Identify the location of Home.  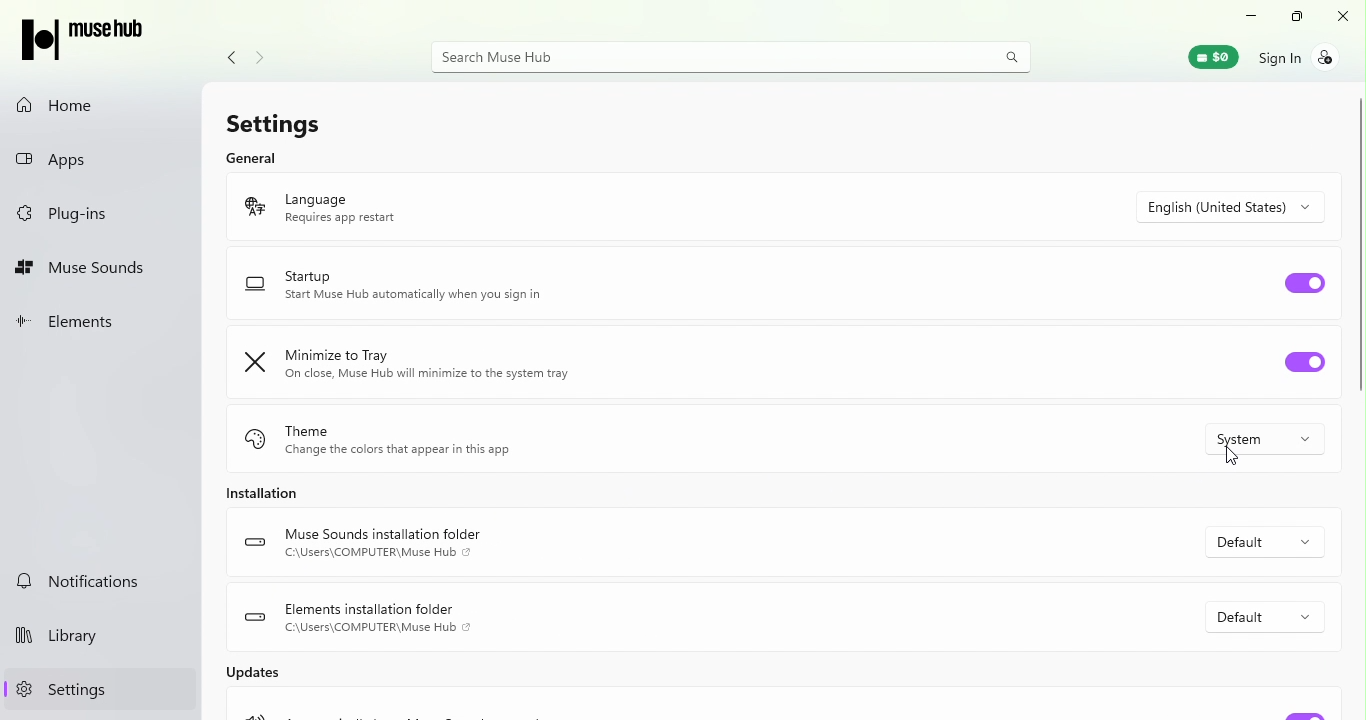
(100, 103).